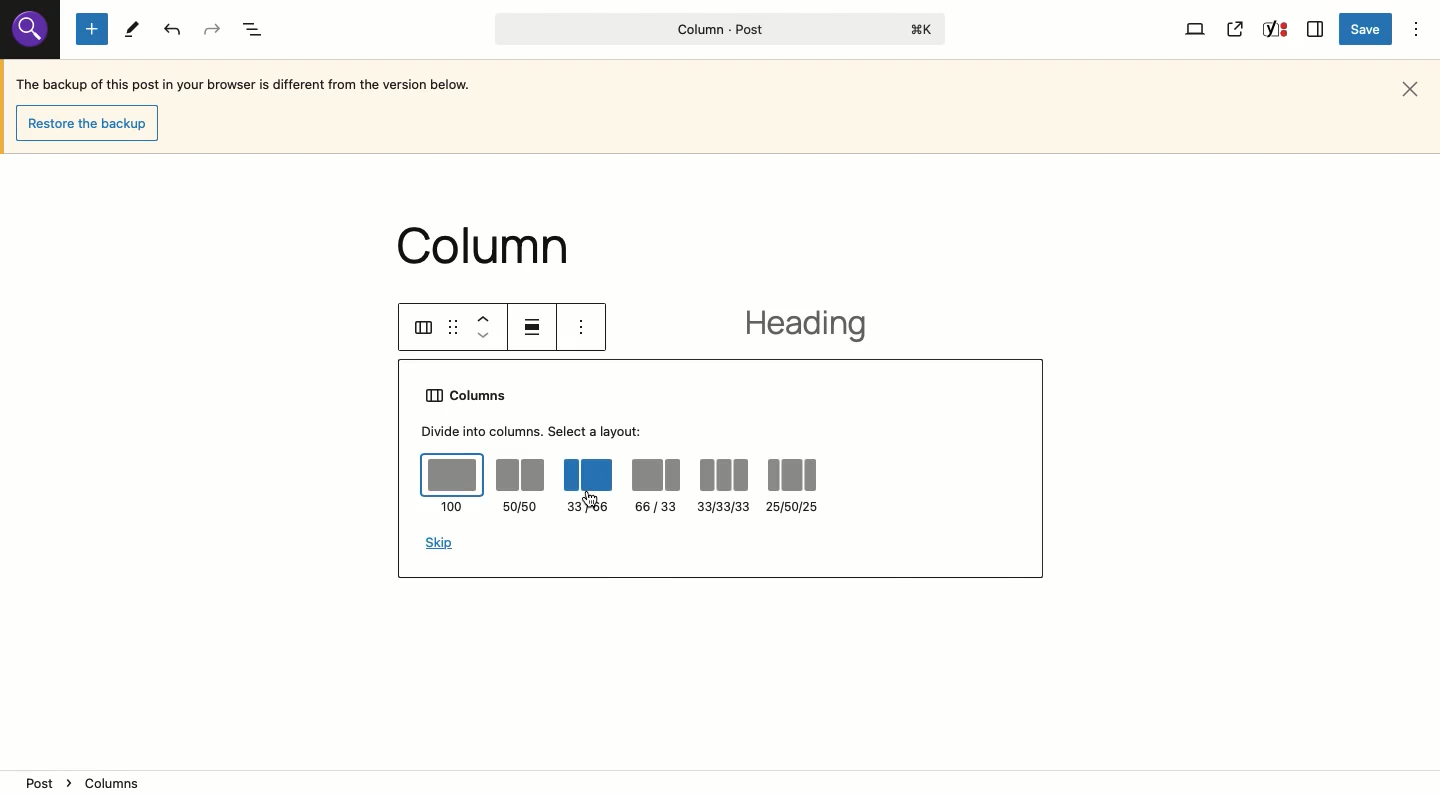 Image resolution: width=1440 pixels, height=794 pixels. Describe the element at coordinates (471, 397) in the screenshot. I see `Columns` at that location.